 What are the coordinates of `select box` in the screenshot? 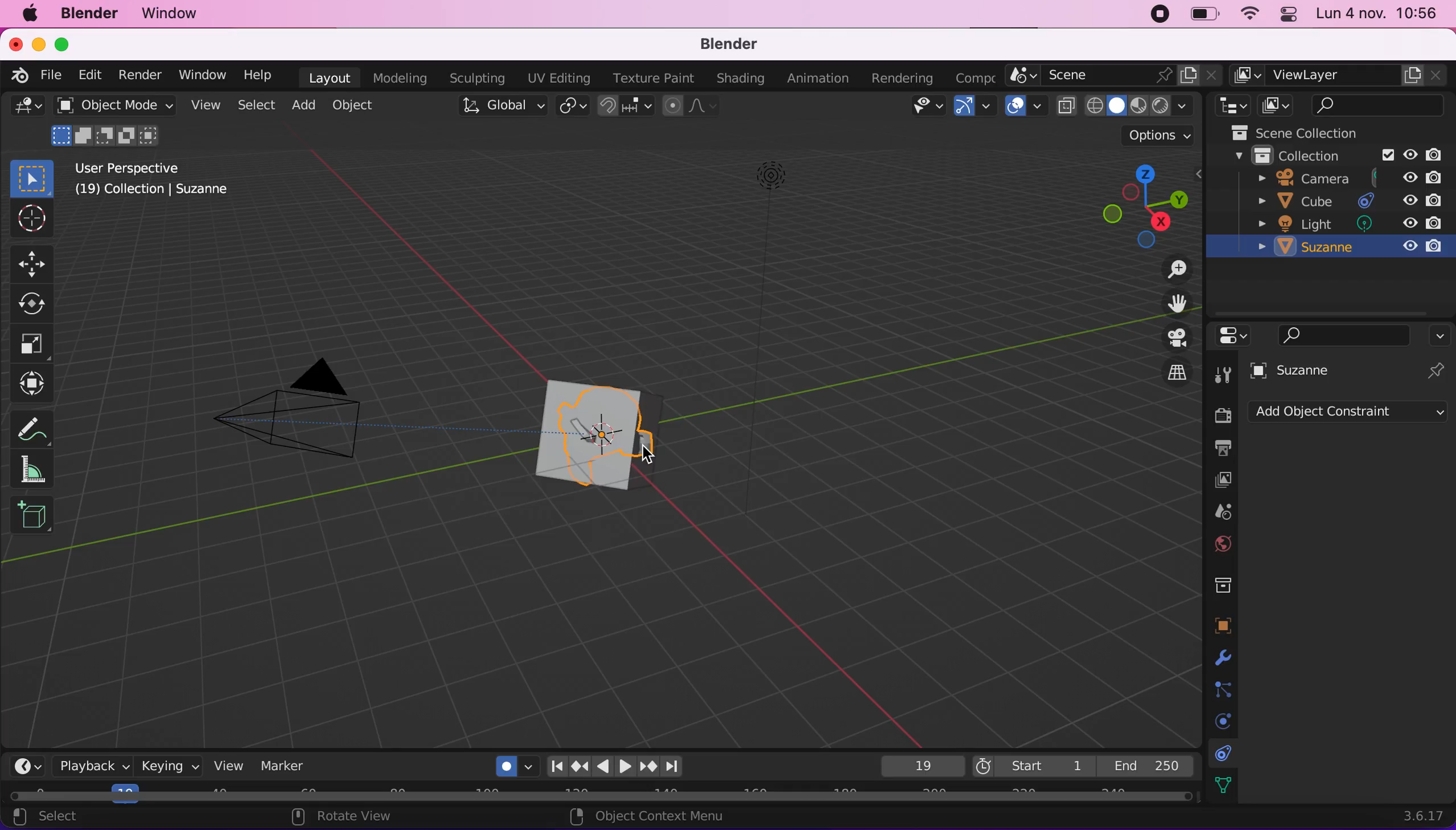 It's located at (32, 176).